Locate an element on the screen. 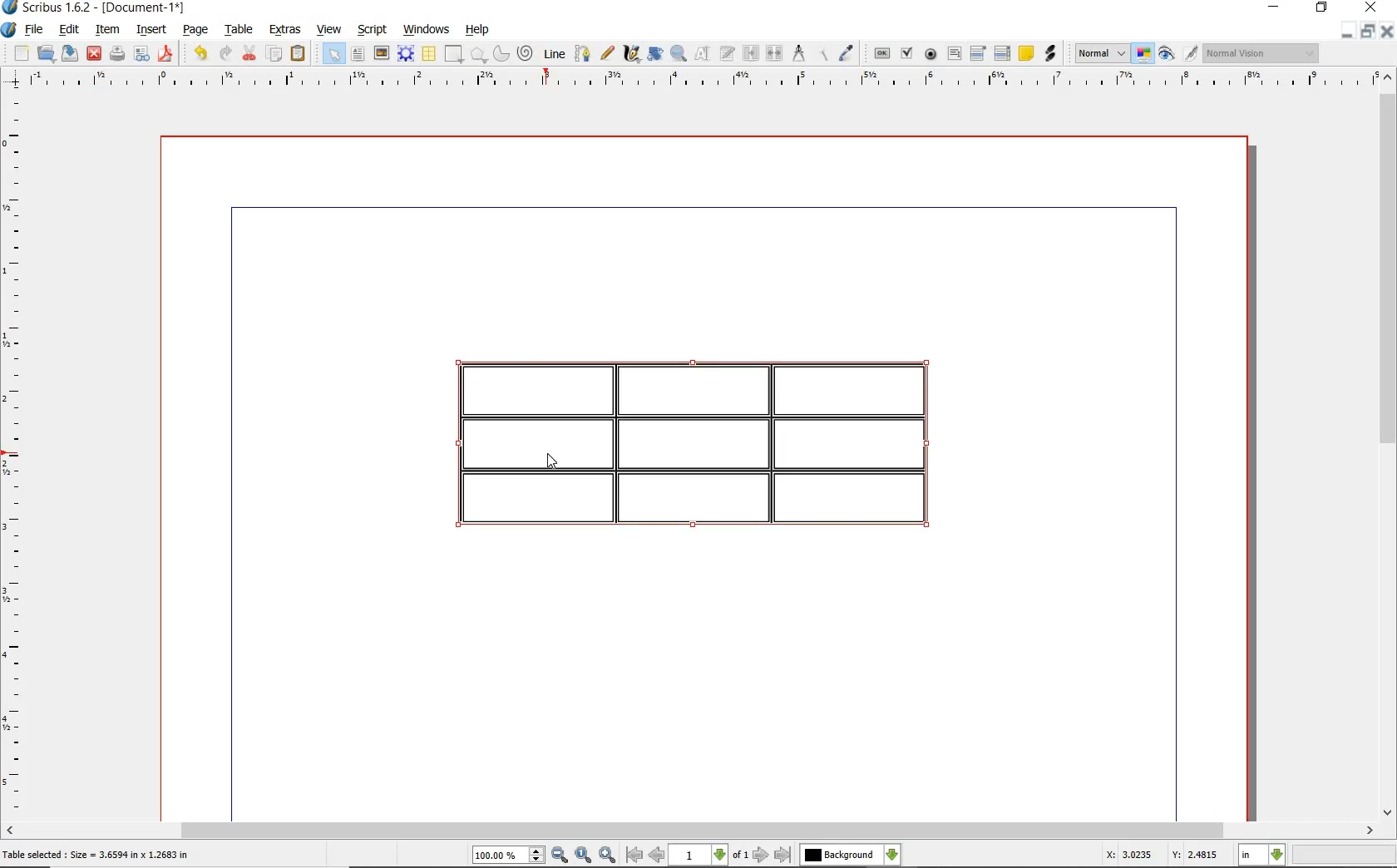 The image size is (1397, 868). insert is located at coordinates (155, 28).